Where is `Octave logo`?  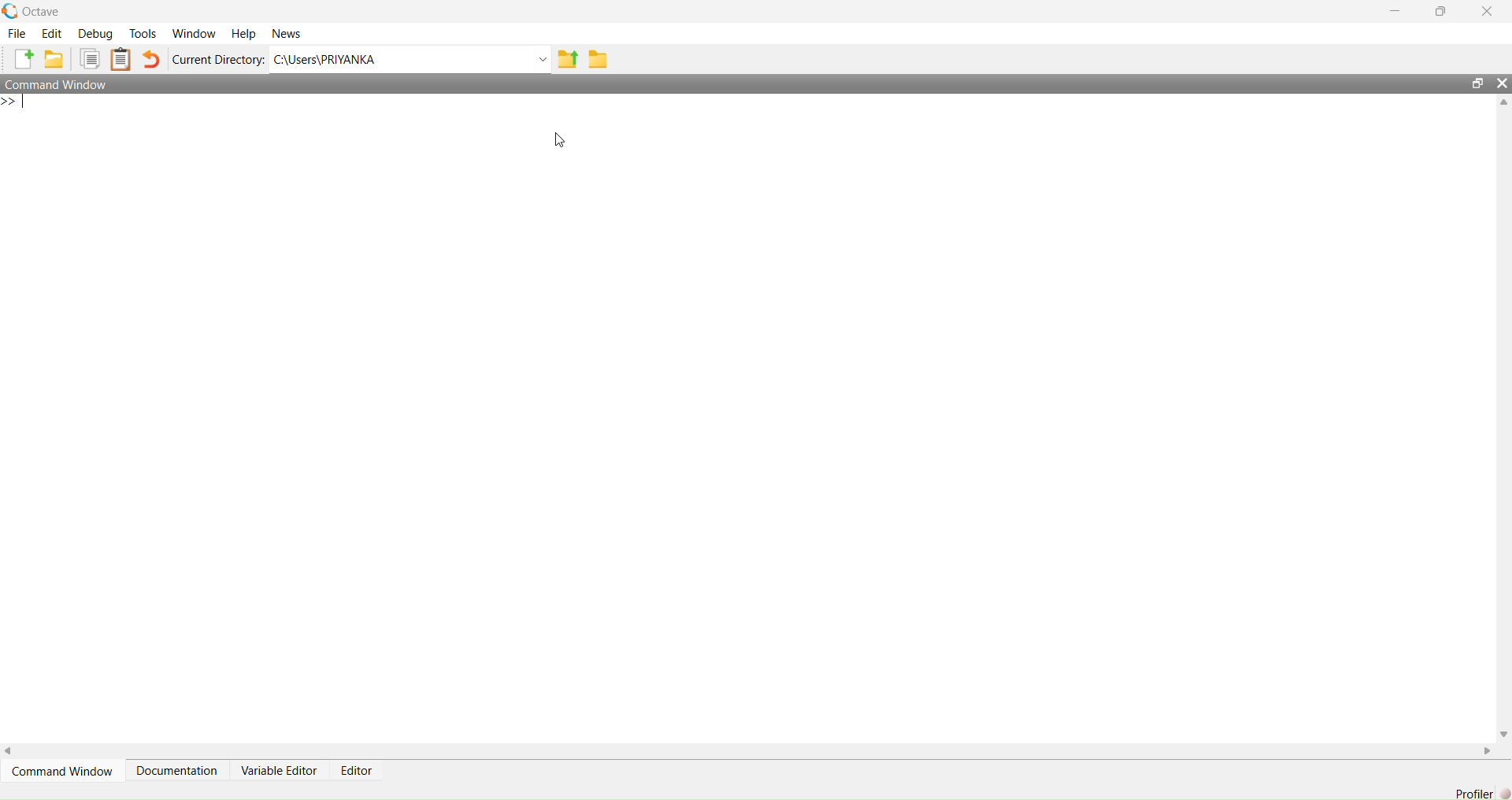 Octave logo is located at coordinates (10, 11).